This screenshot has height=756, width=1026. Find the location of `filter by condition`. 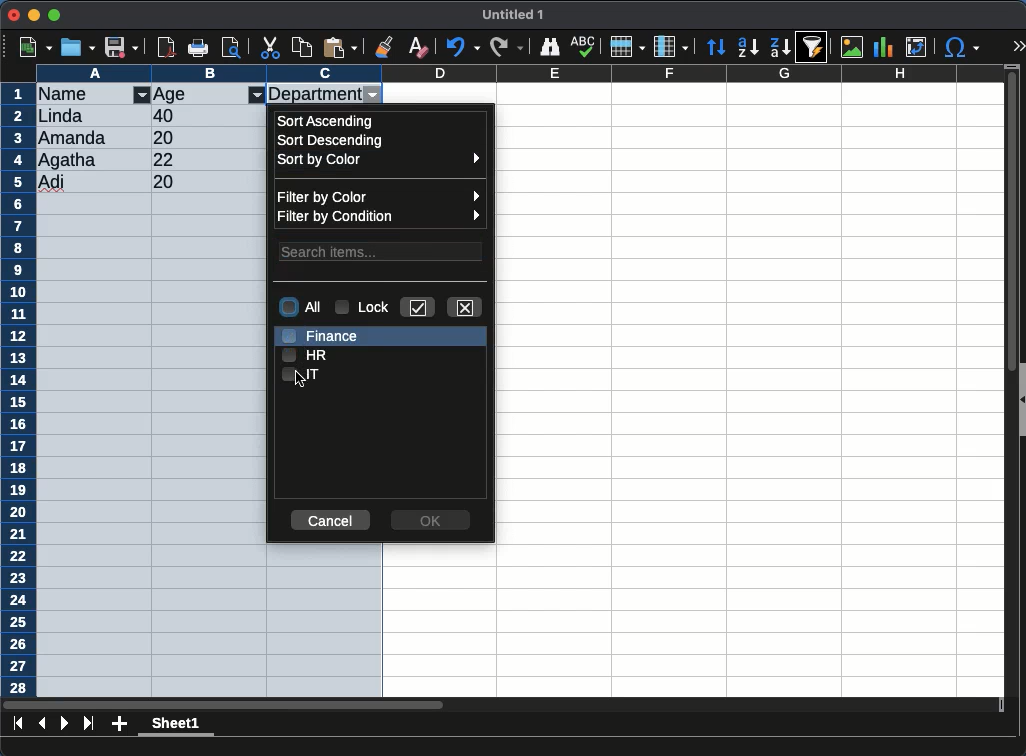

filter by condition is located at coordinates (381, 217).